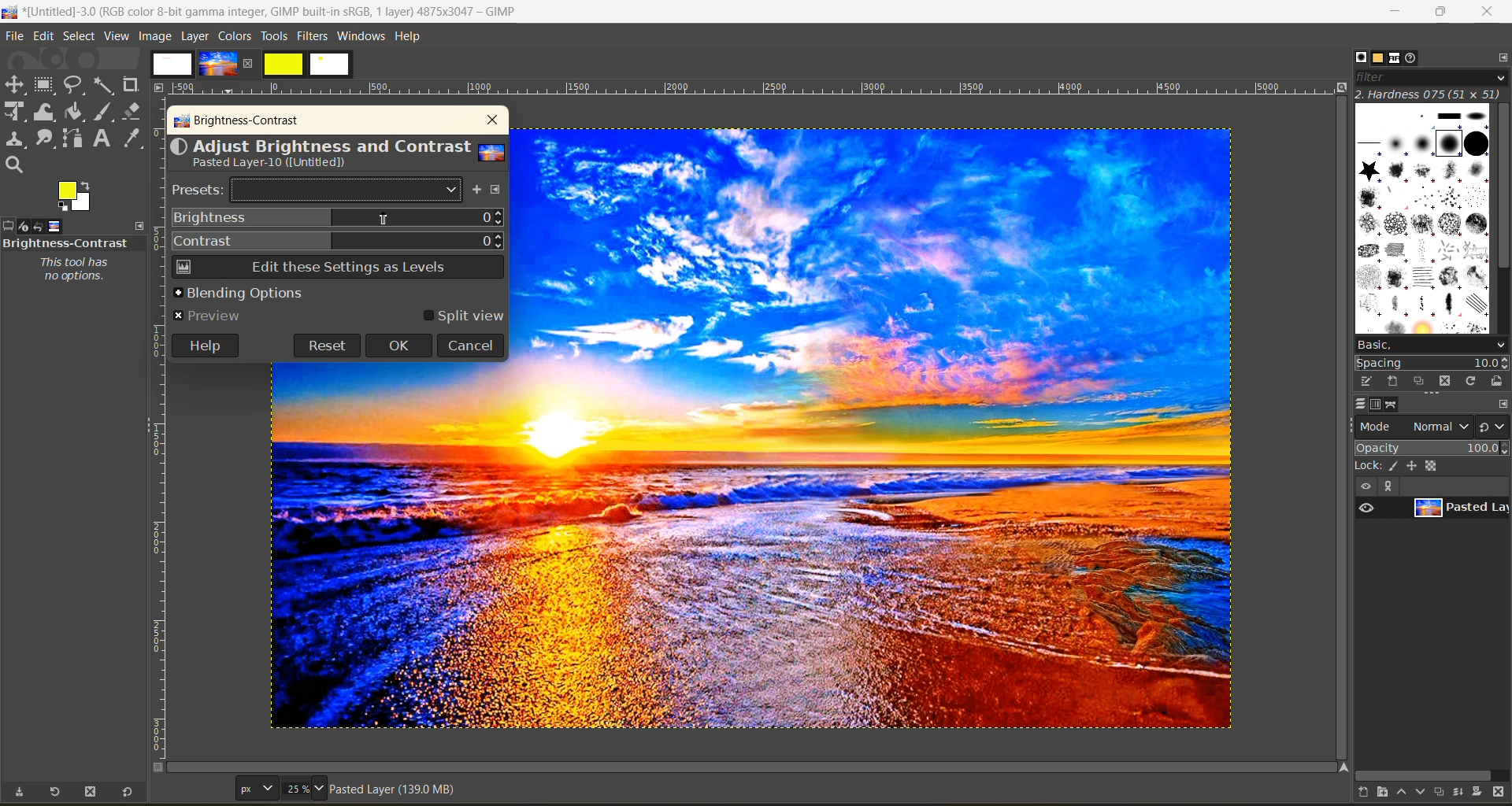  Describe the element at coordinates (1390, 793) in the screenshot. I see `create a new layer group` at that location.